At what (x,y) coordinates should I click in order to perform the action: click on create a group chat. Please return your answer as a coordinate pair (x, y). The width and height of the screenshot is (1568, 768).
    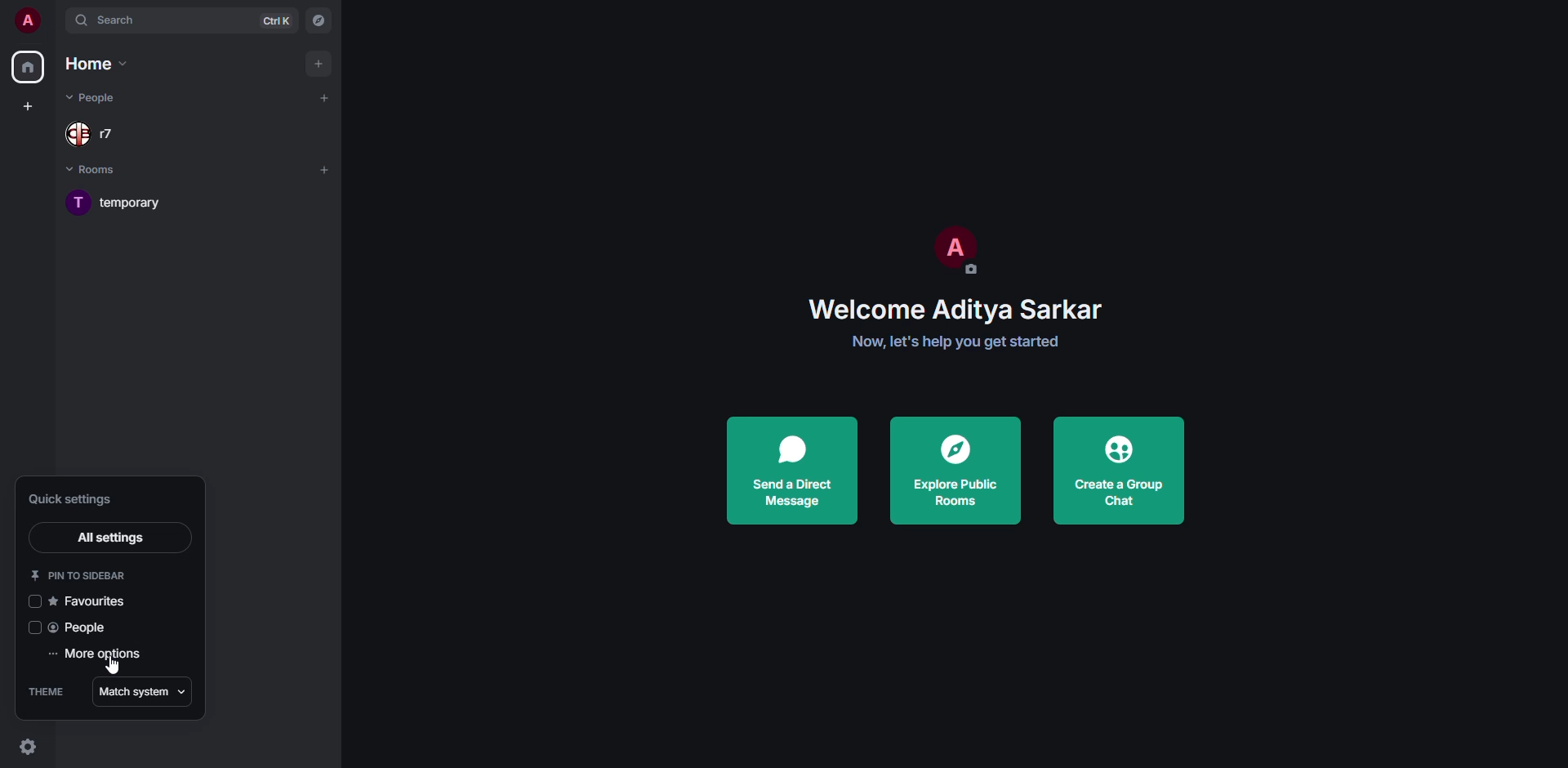
    Looking at the image, I should click on (1119, 471).